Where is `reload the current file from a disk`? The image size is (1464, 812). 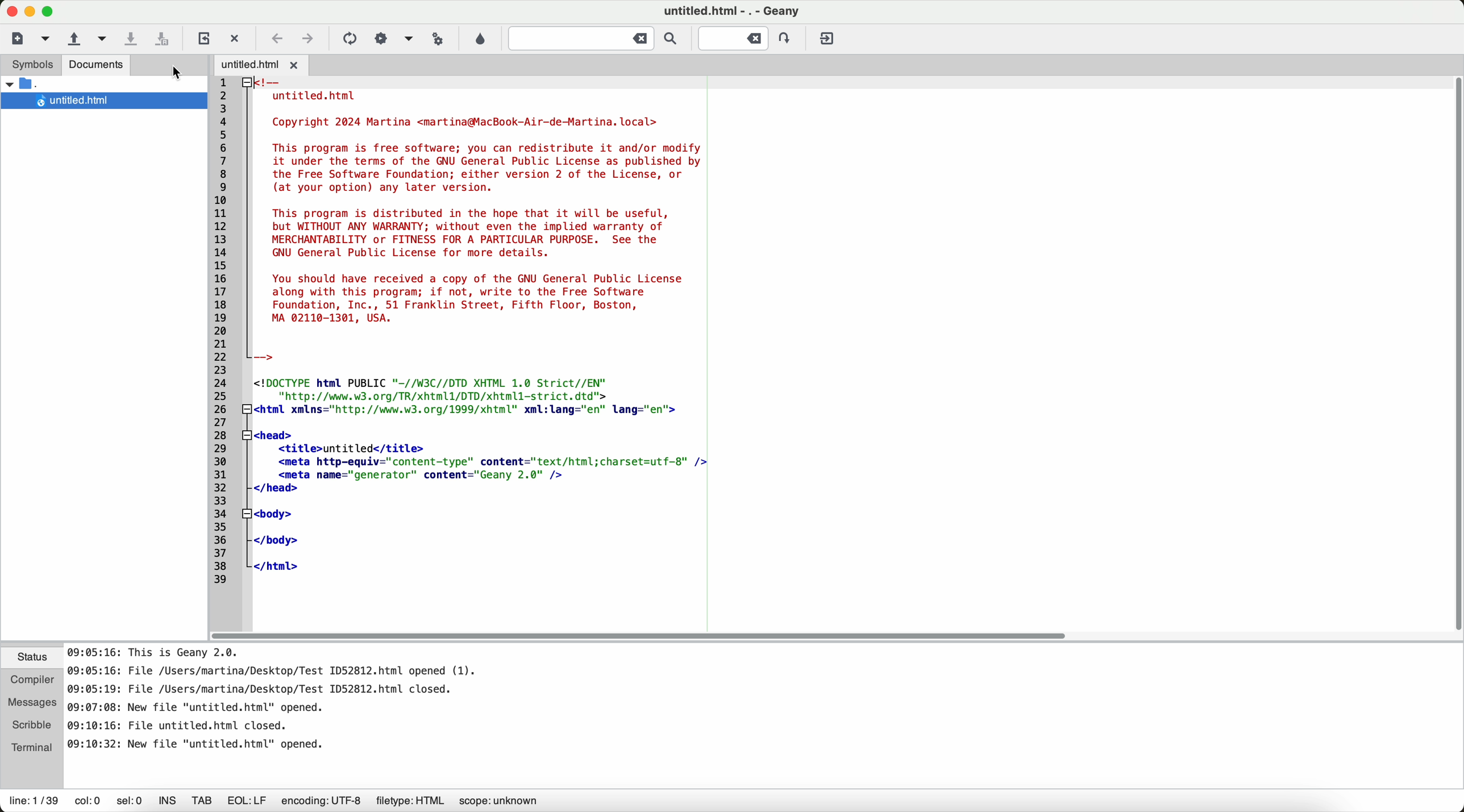 reload the current file from a disk is located at coordinates (203, 40).